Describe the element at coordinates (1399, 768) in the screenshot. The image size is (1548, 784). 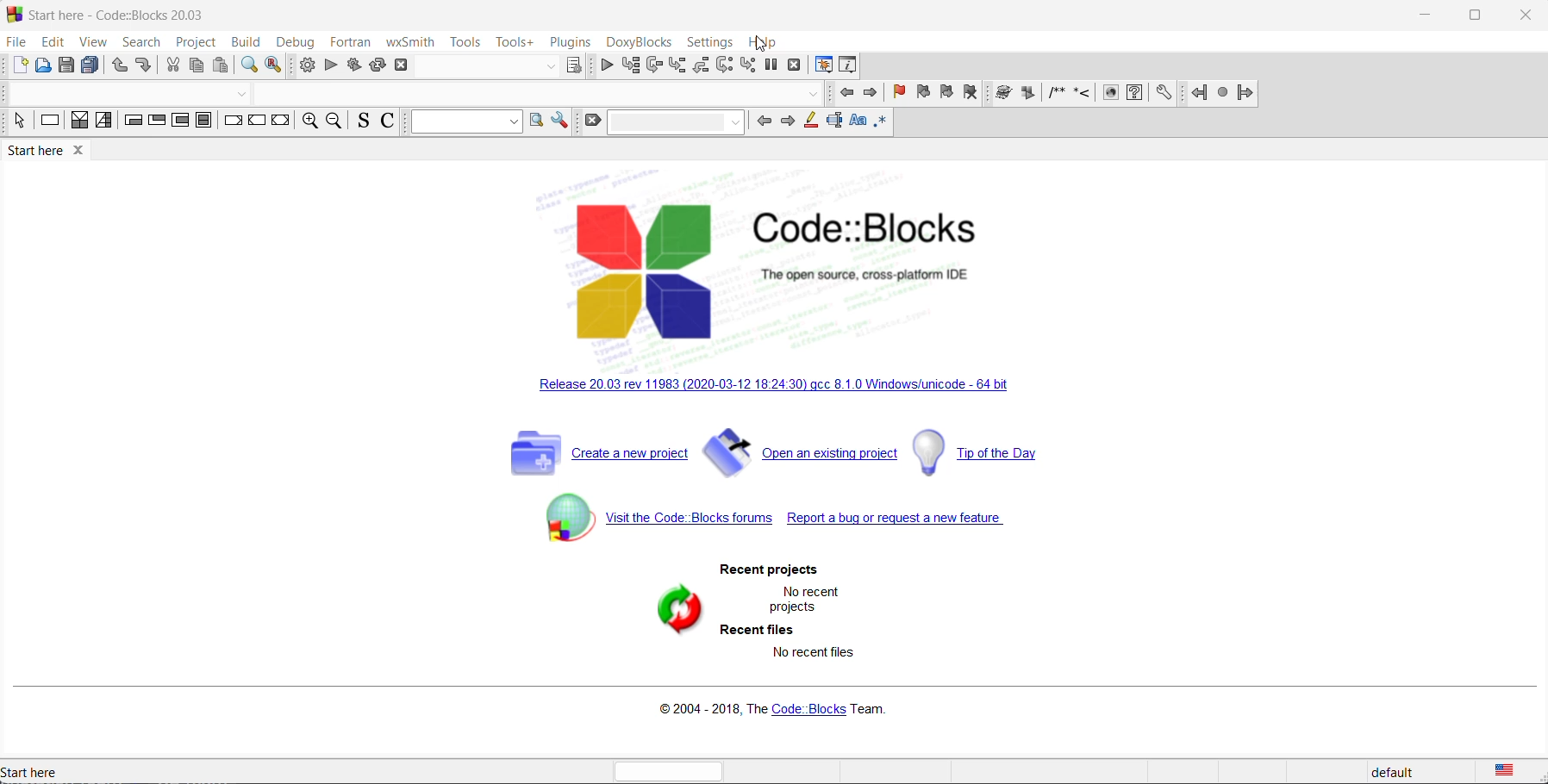
I see `default` at that location.